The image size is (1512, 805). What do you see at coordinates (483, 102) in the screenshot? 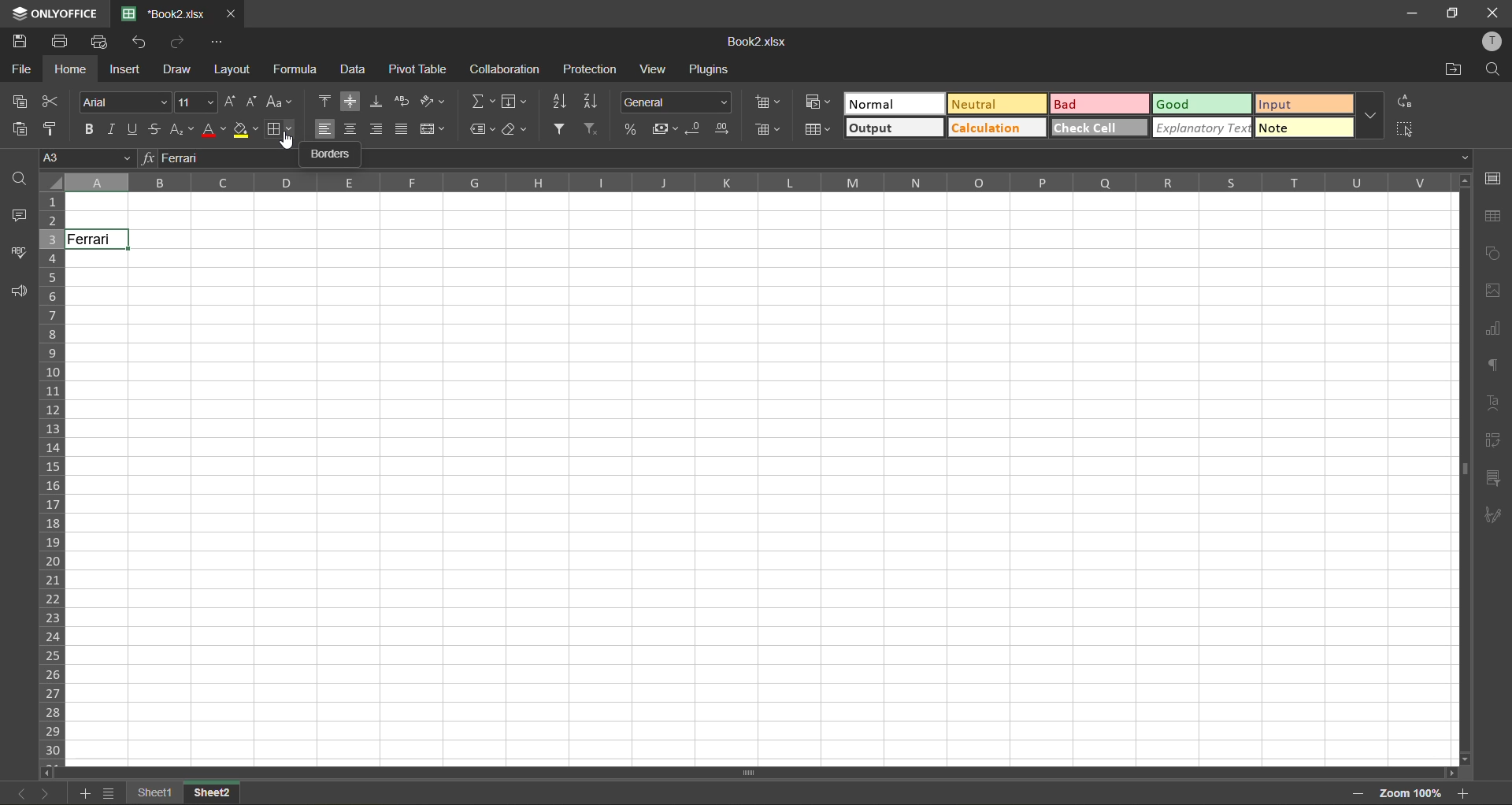
I see `summation` at bounding box center [483, 102].